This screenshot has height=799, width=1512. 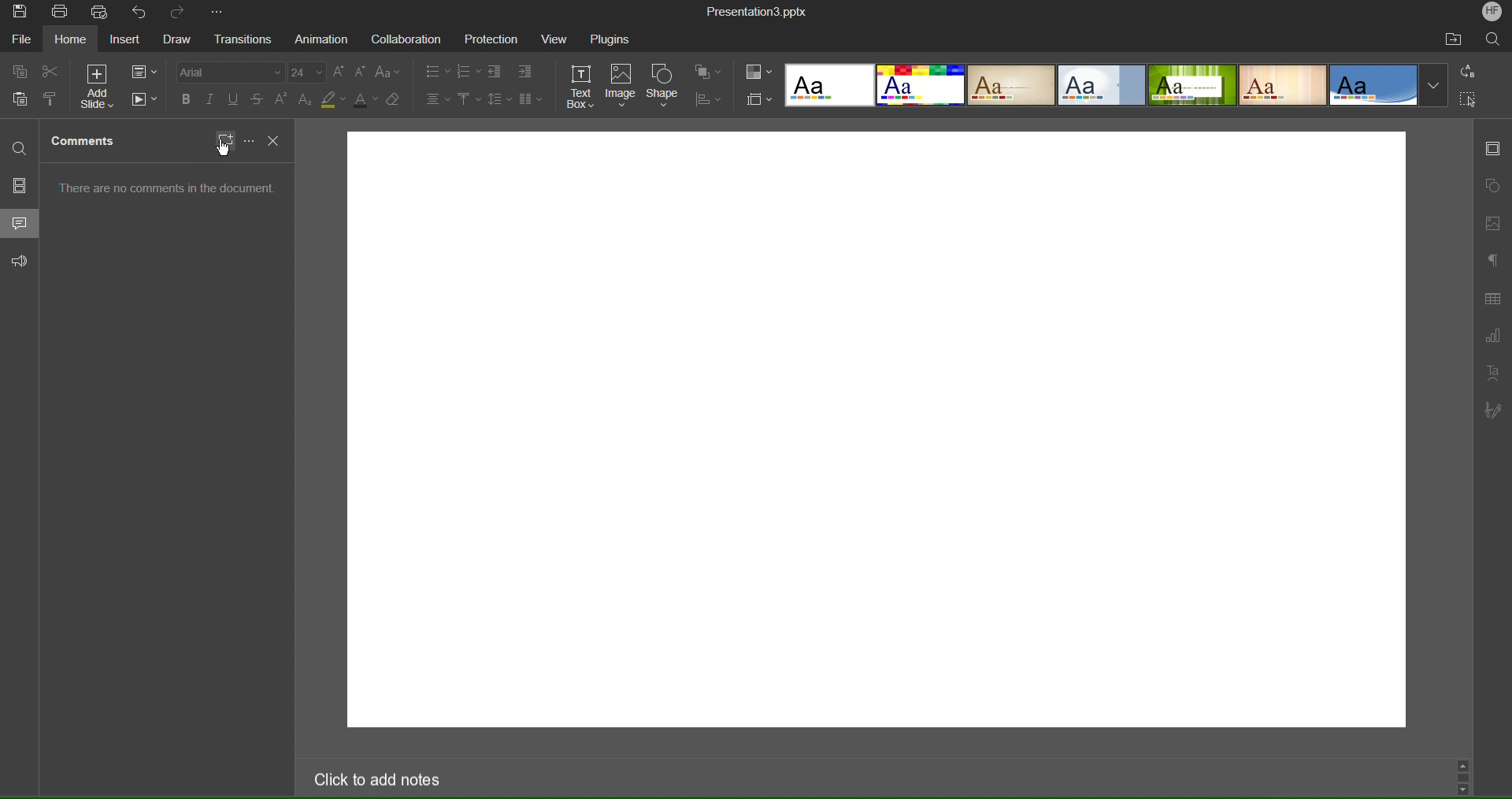 What do you see at coordinates (1494, 149) in the screenshot?
I see `Slide Settings` at bounding box center [1494, 149].